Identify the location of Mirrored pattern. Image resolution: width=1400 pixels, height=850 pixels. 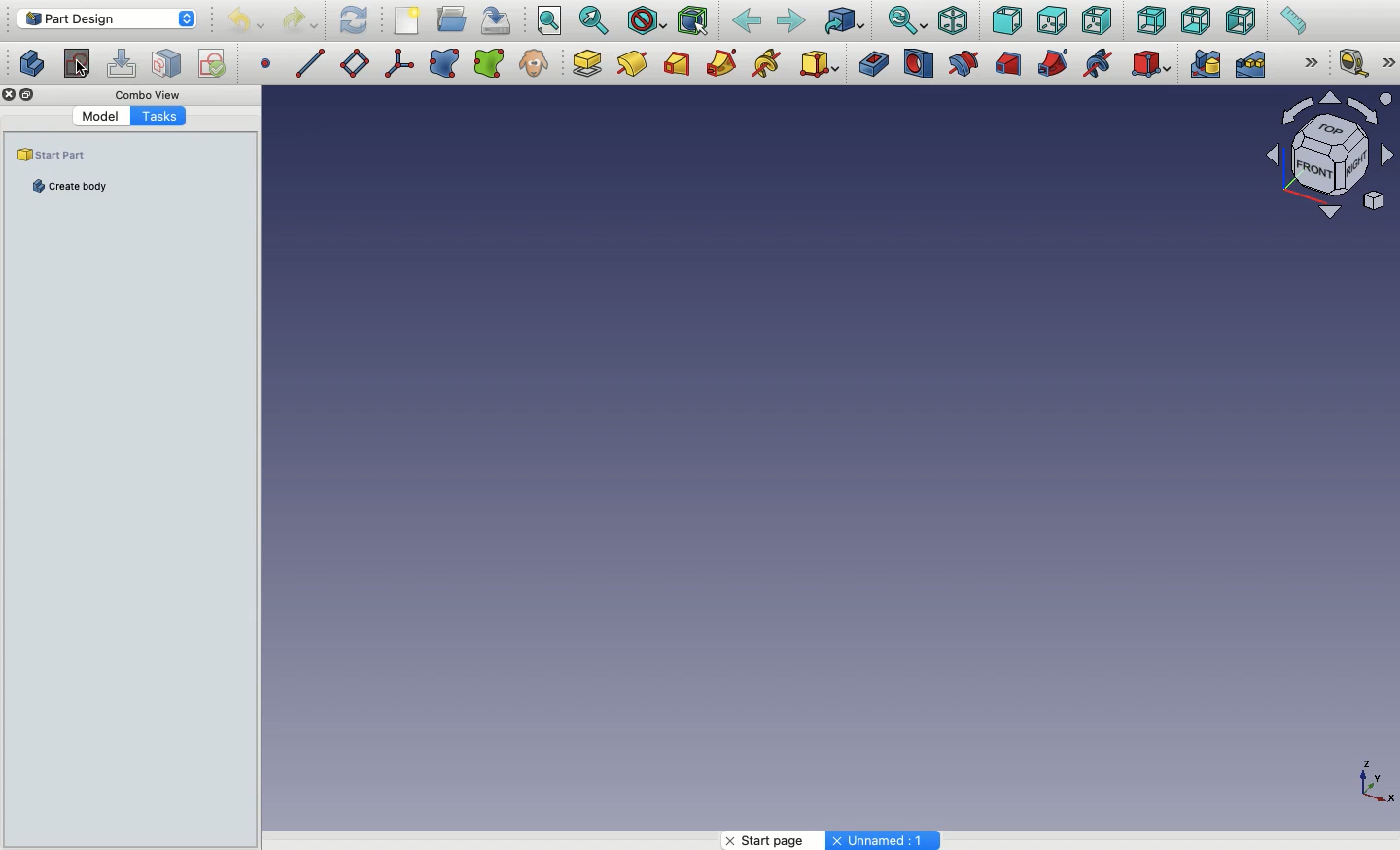
(1204, 64).